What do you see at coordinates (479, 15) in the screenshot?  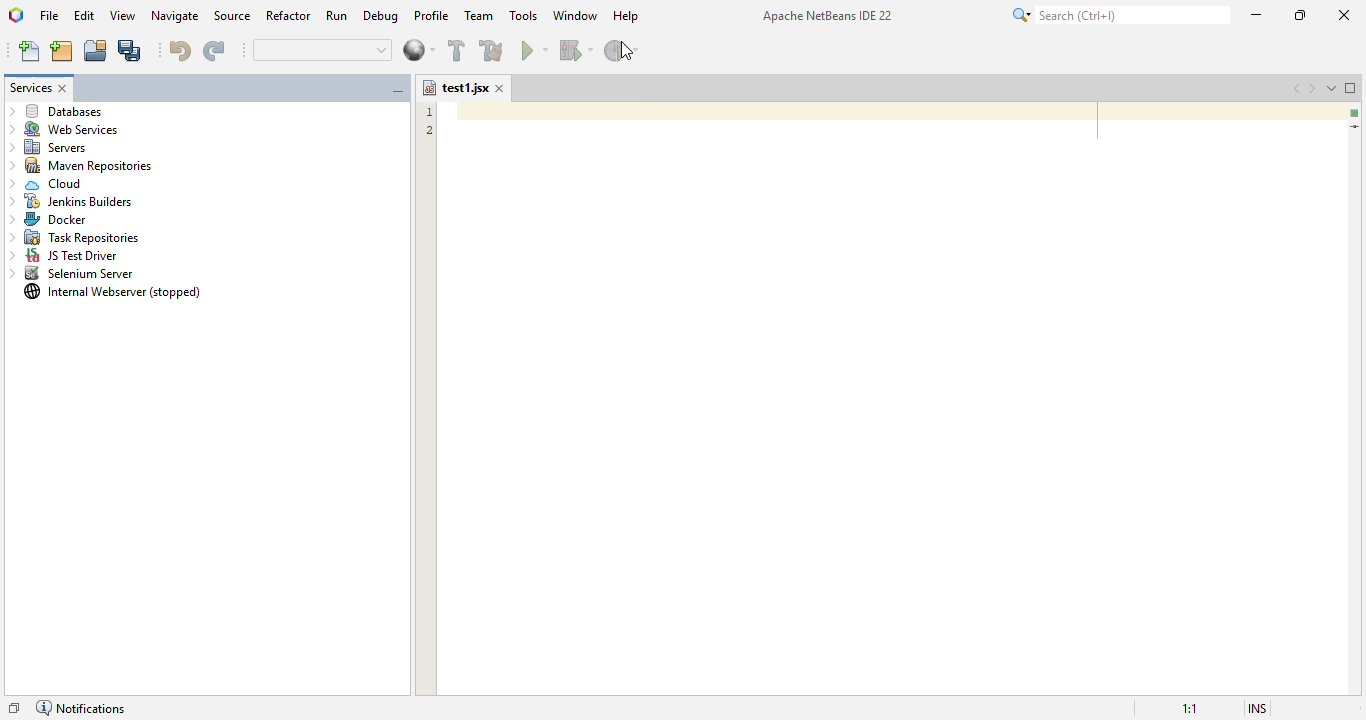 I see `team` at bounding box center [479, 15].